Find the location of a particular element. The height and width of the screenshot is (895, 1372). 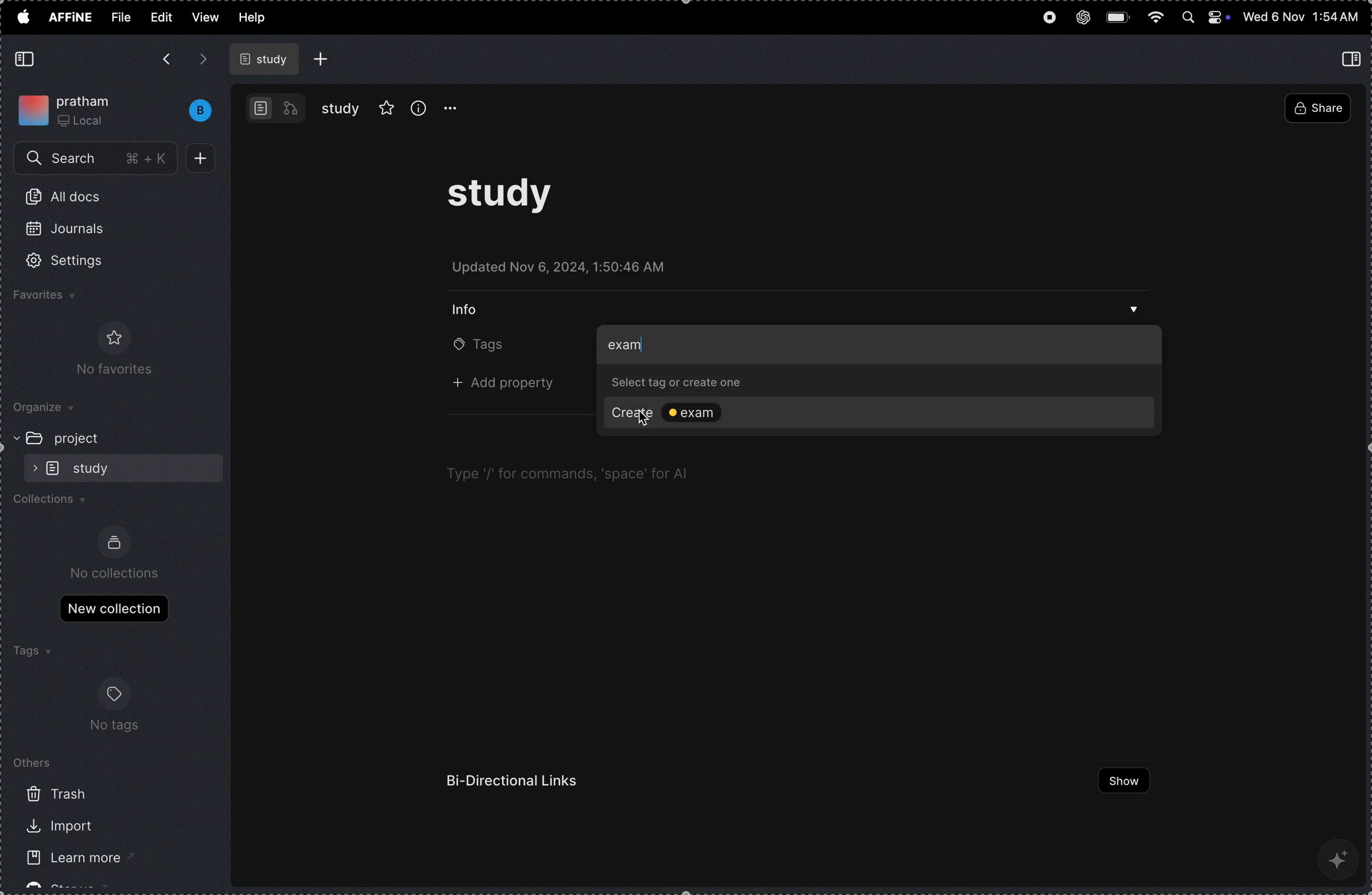

edit is located at coordinates (160, 16).